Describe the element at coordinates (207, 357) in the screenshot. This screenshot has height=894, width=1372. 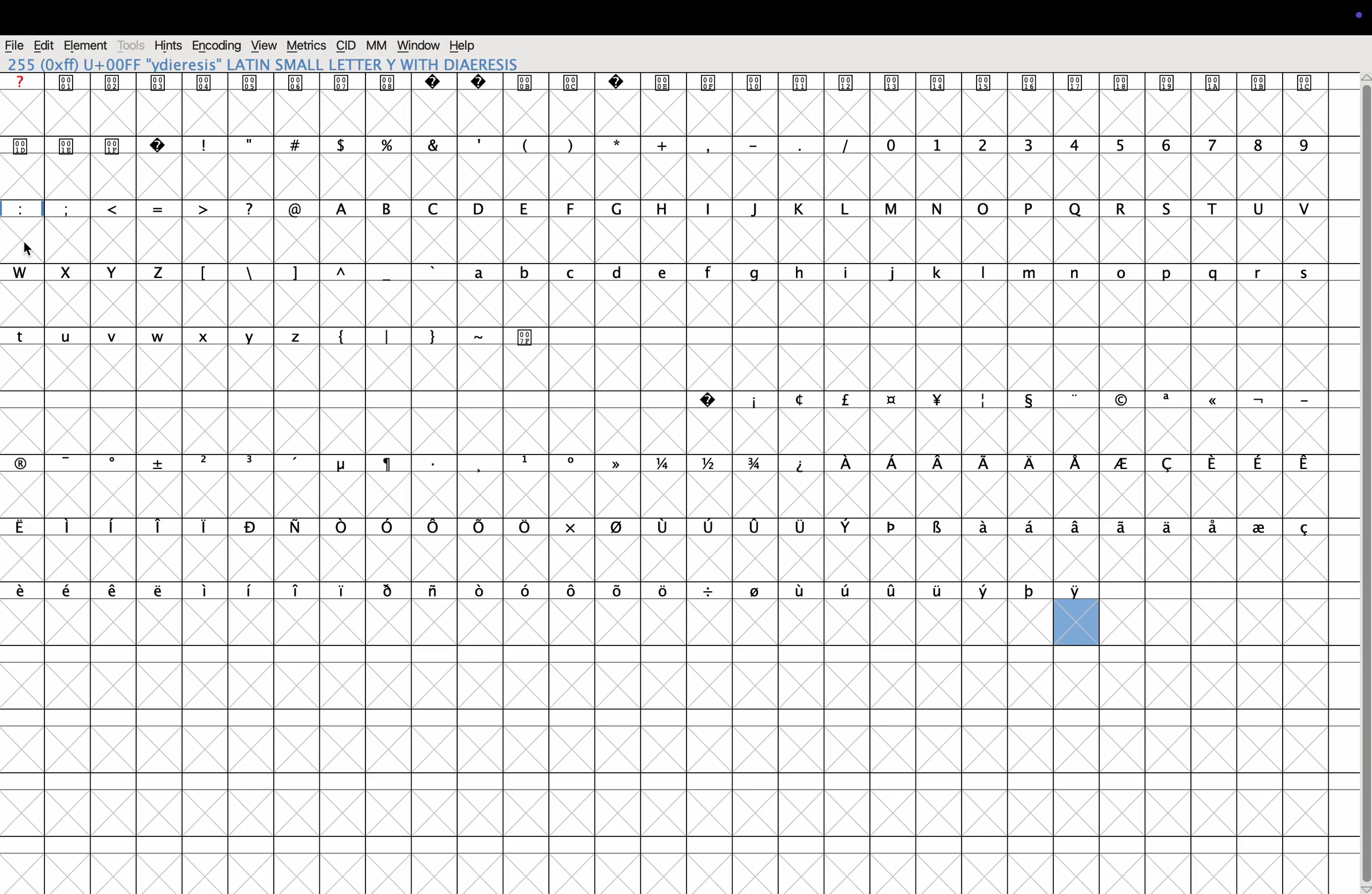
I see `x` at that location.